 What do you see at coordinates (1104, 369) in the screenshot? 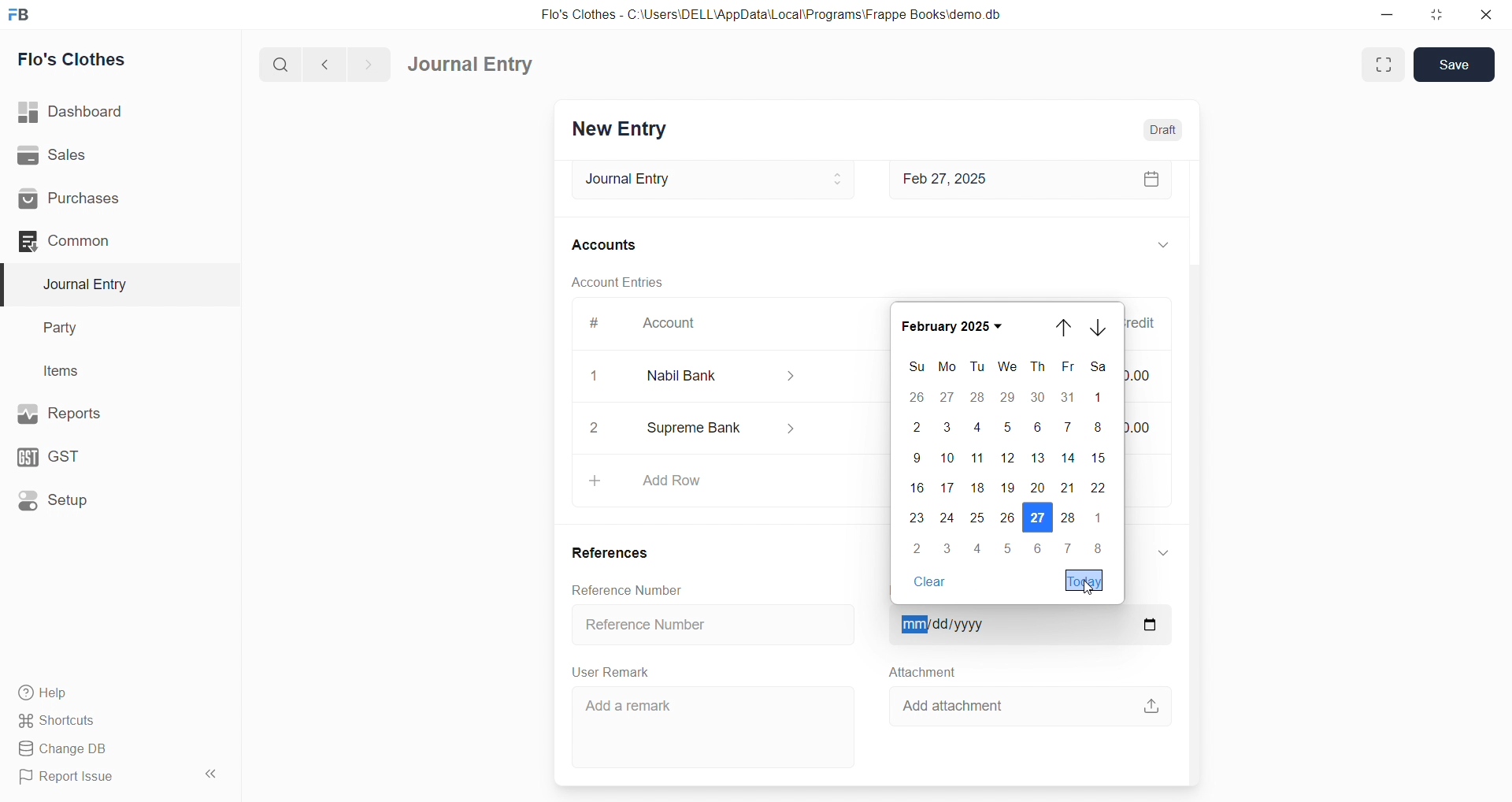
I see `SA` at bounding box center [1104, 369].